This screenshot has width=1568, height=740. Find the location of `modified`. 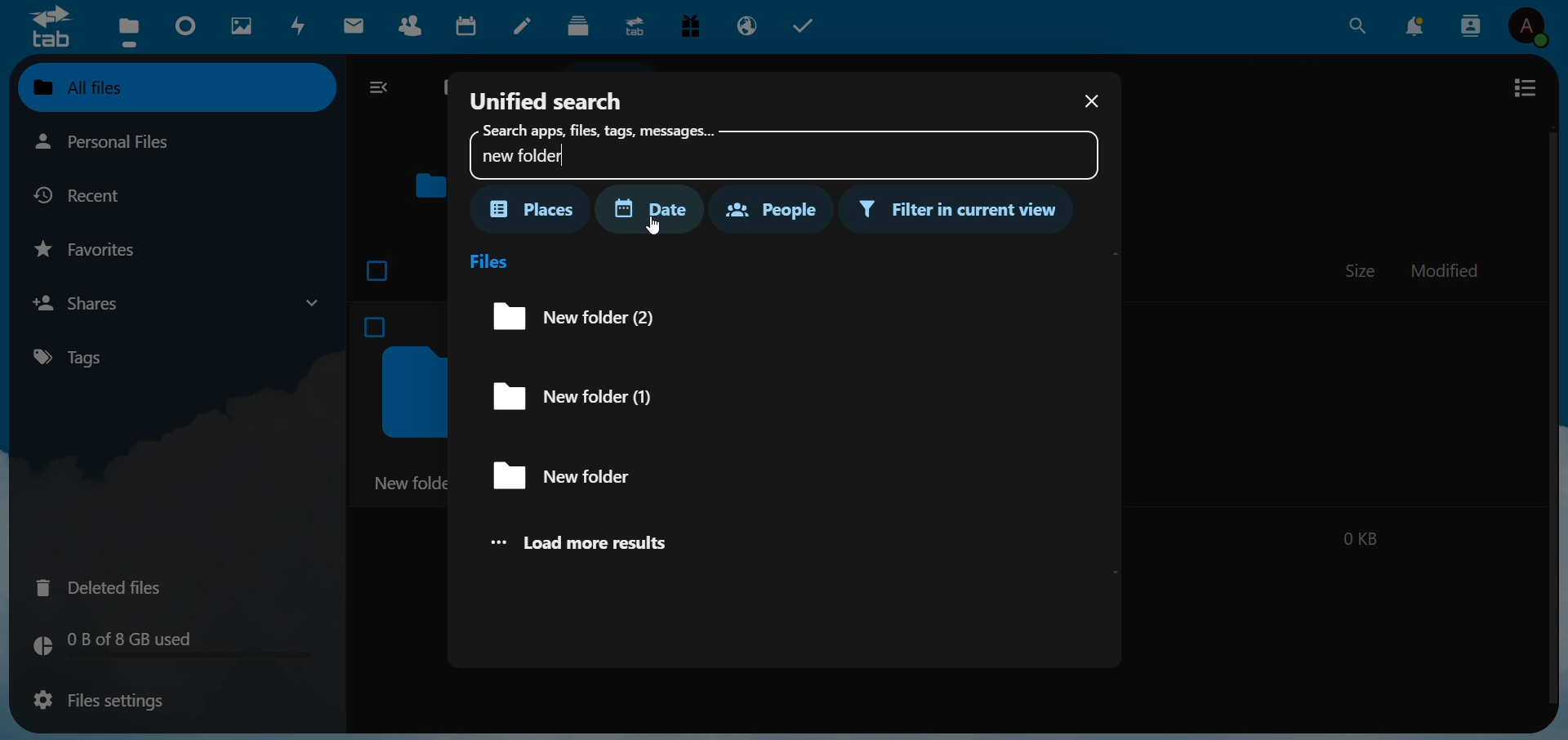

modified is located at coordinates (1446, 273).